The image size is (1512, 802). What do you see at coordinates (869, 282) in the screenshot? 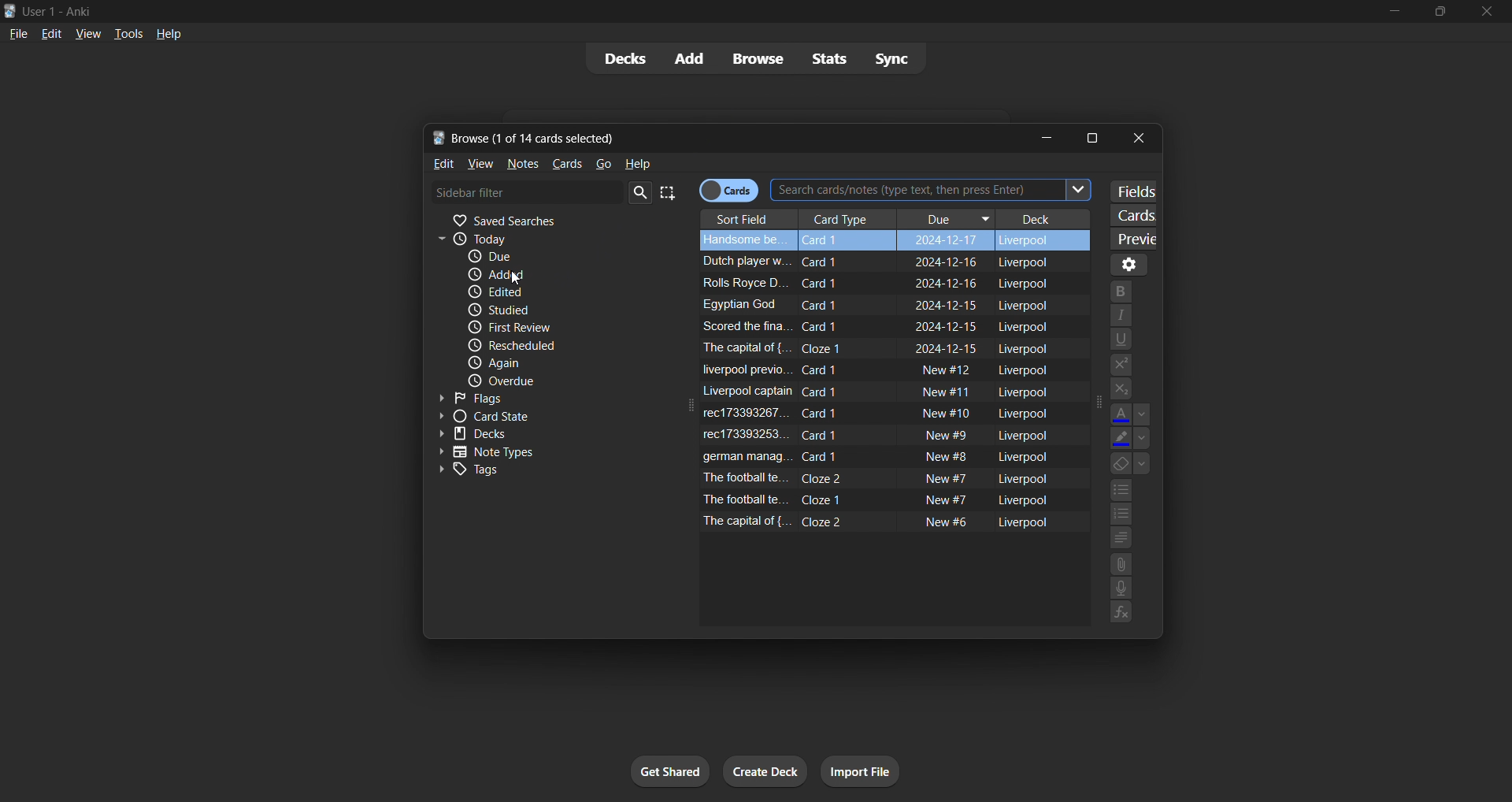
I see `Rolls Royce D... Card 1 2024-12-16 Liverpool` at bounding box center [869, 282].